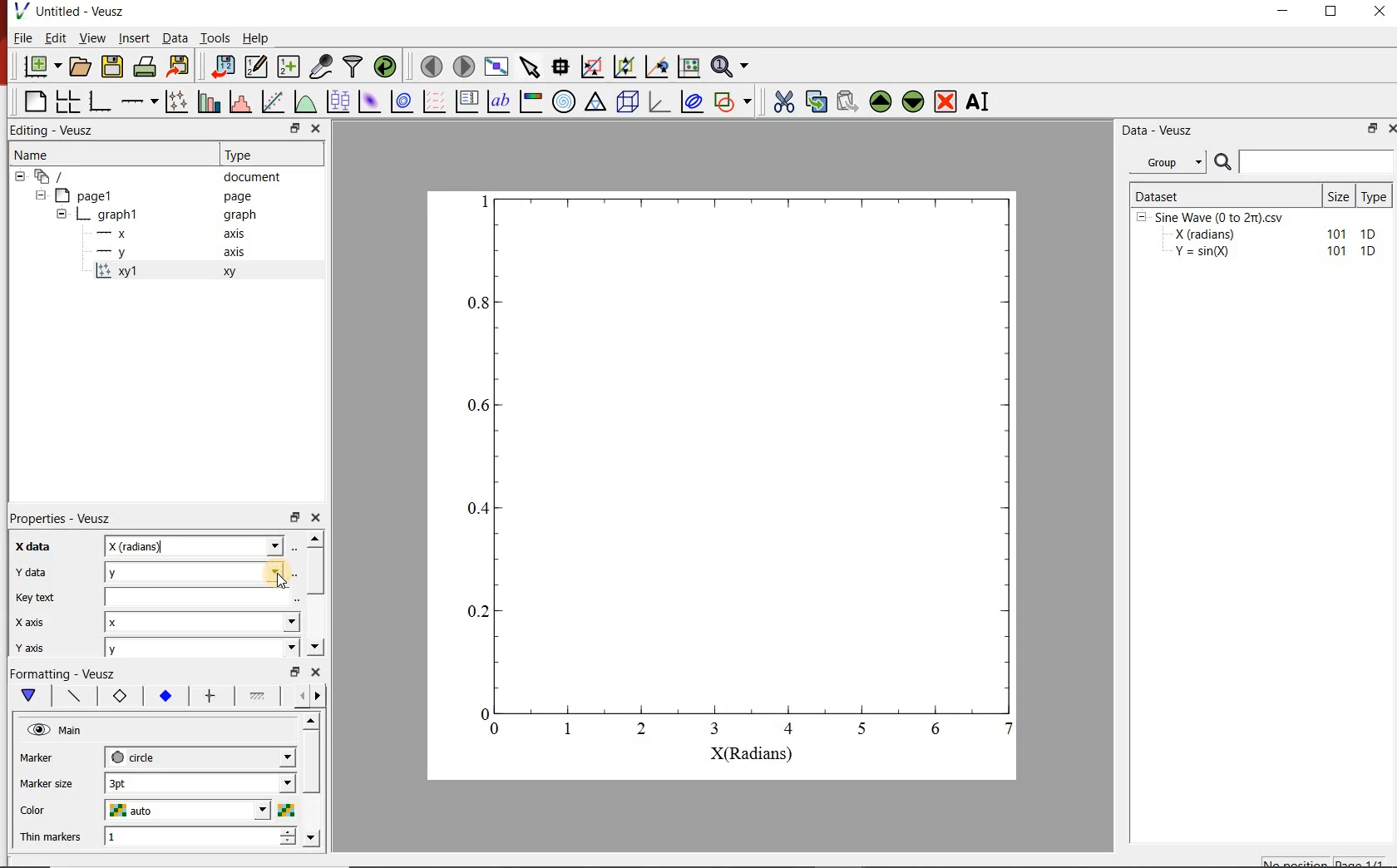 This screenshot has height=868, width=1397. Describe the element at coordinates (315, 538) in the screenshot. I see `Up` at that location.